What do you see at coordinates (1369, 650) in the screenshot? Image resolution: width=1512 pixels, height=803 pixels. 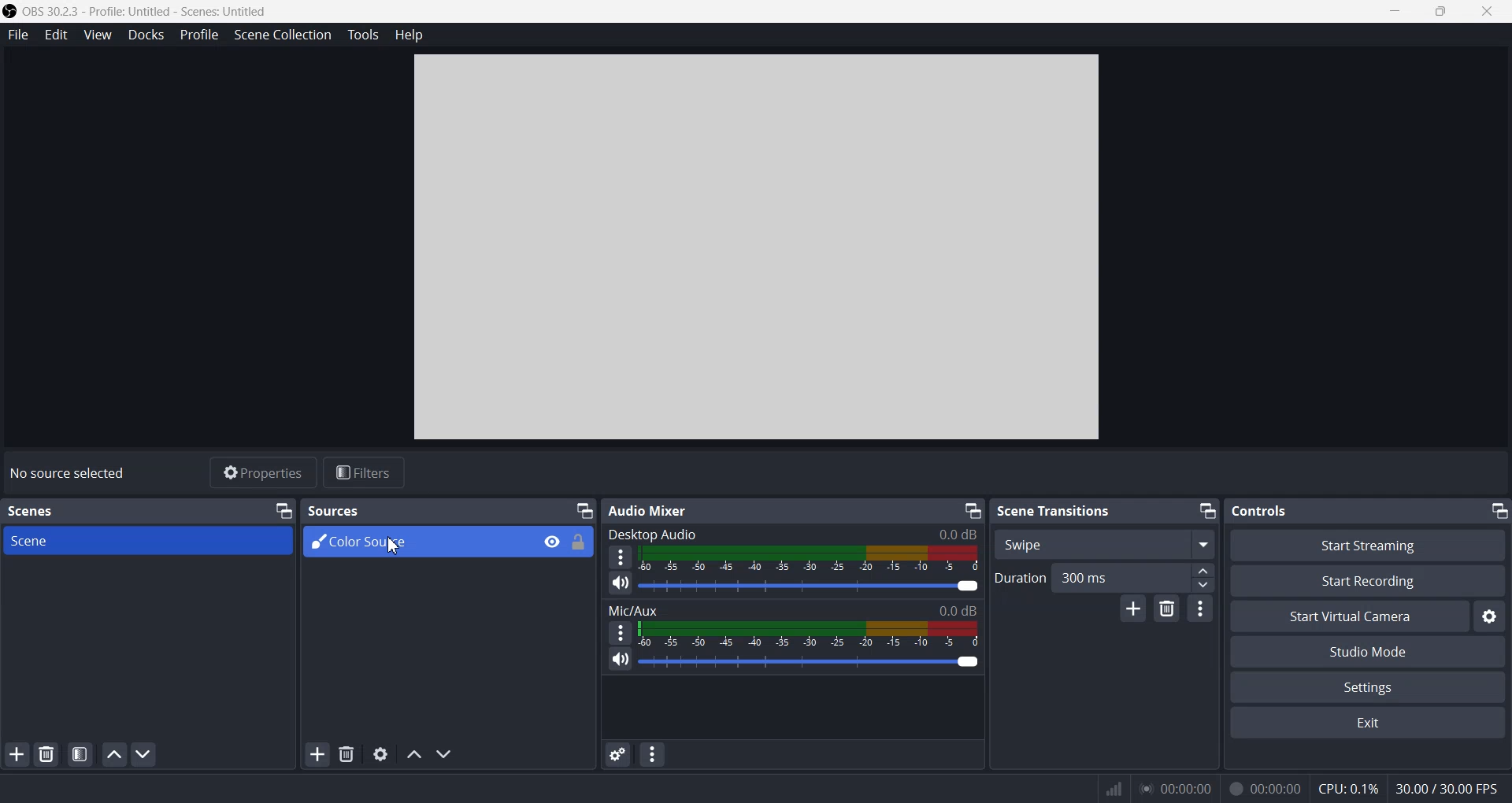 I see `Studio Mode` at bounding box center [1369, 650].